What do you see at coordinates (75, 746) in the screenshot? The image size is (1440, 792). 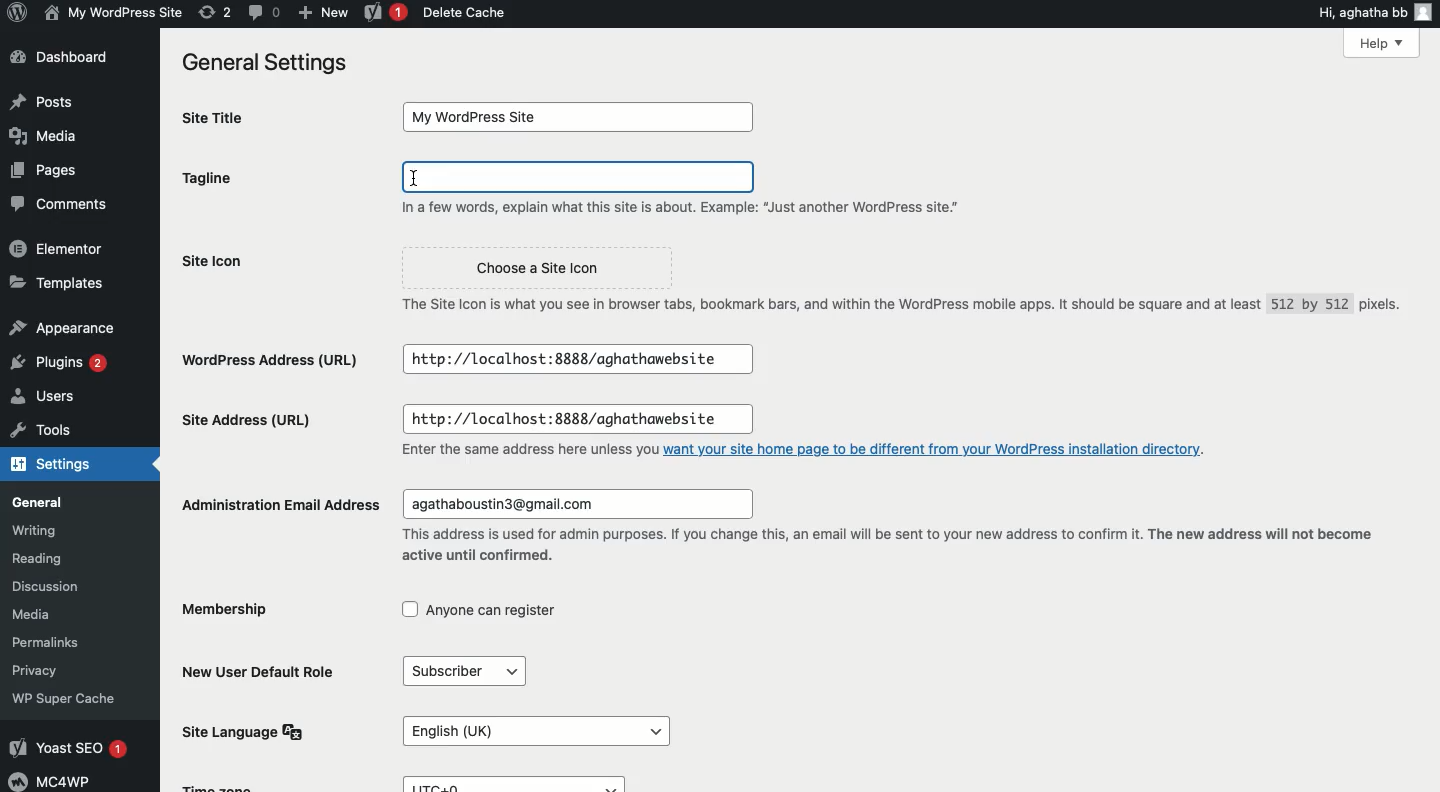 I see `Yoast SEO 1` at bounding box center [75, 746].